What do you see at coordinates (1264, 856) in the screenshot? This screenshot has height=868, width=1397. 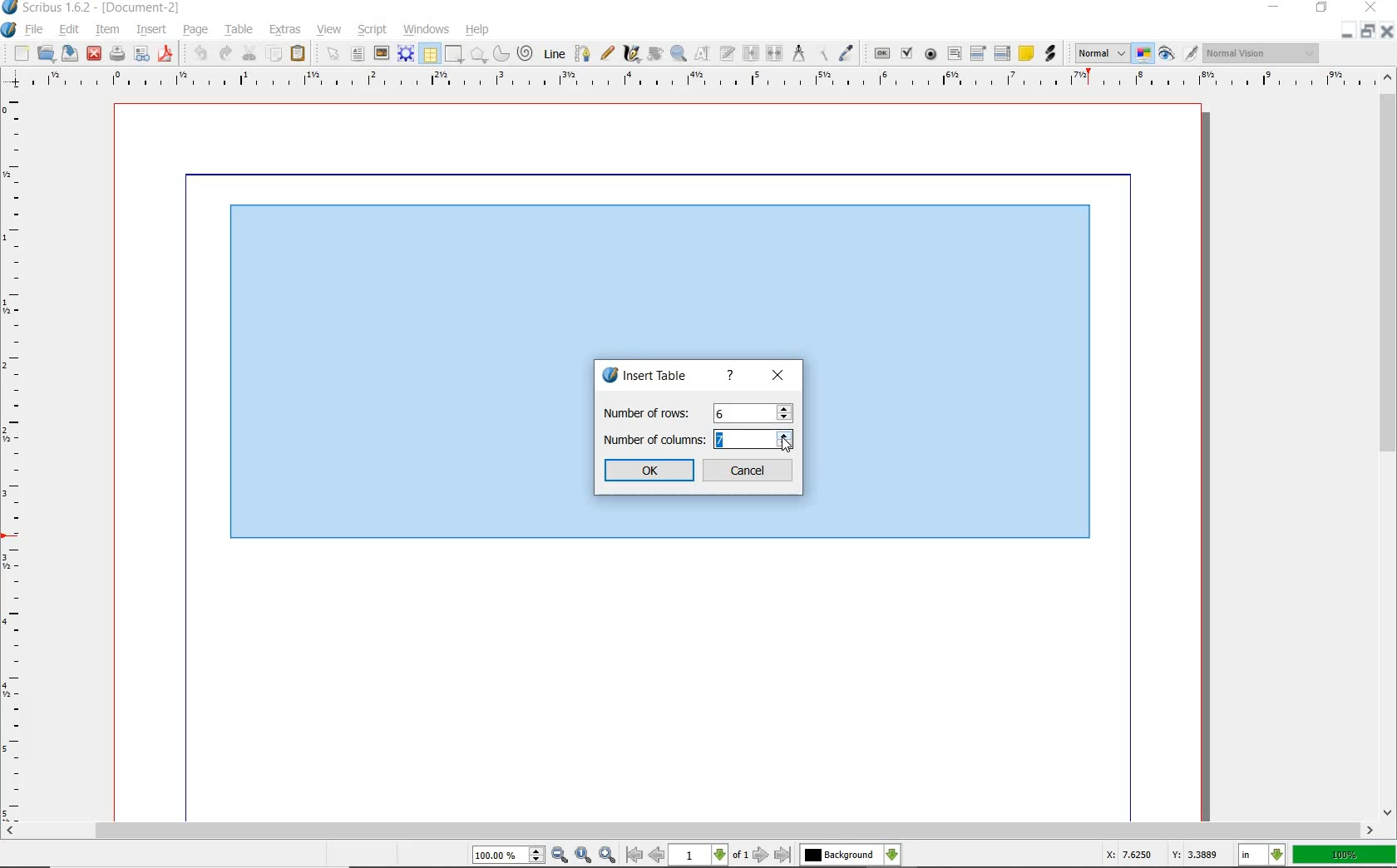 I see `select current unit` at bounding box center [1264, 856].